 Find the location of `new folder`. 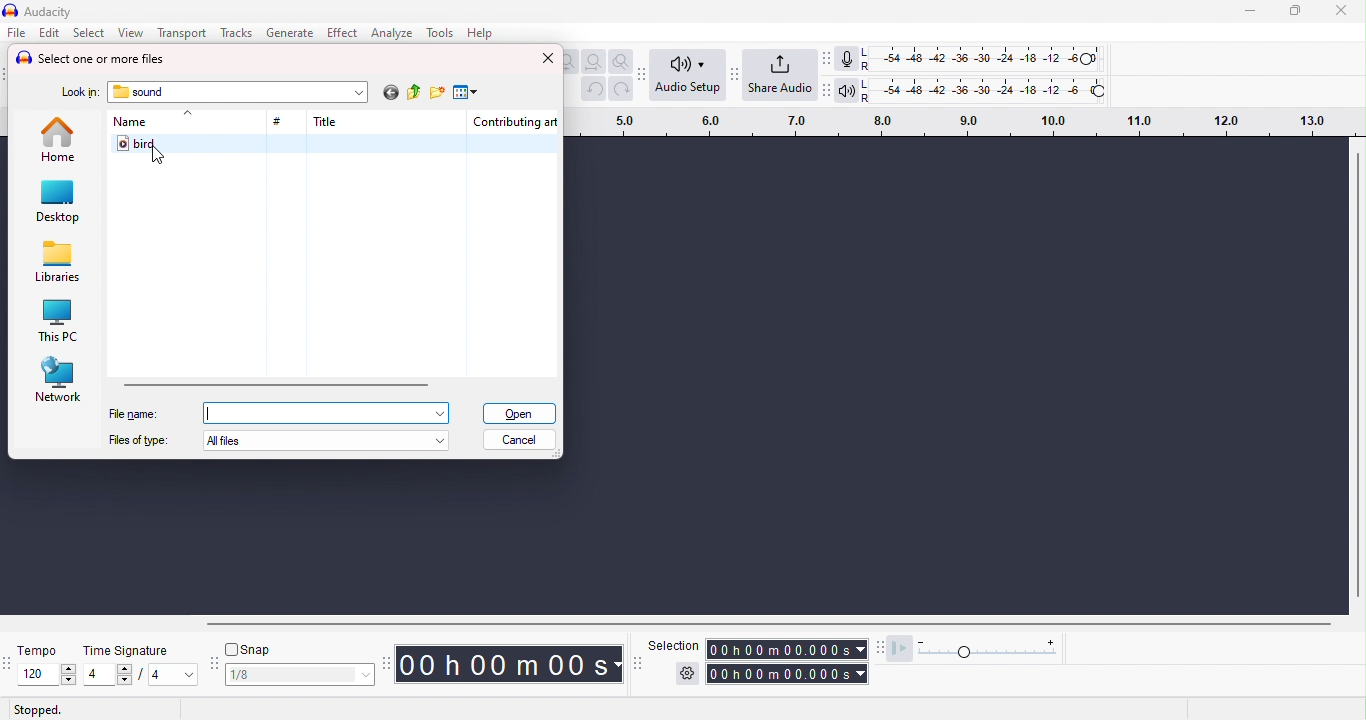

new folder is located at coordinates (437, 93).